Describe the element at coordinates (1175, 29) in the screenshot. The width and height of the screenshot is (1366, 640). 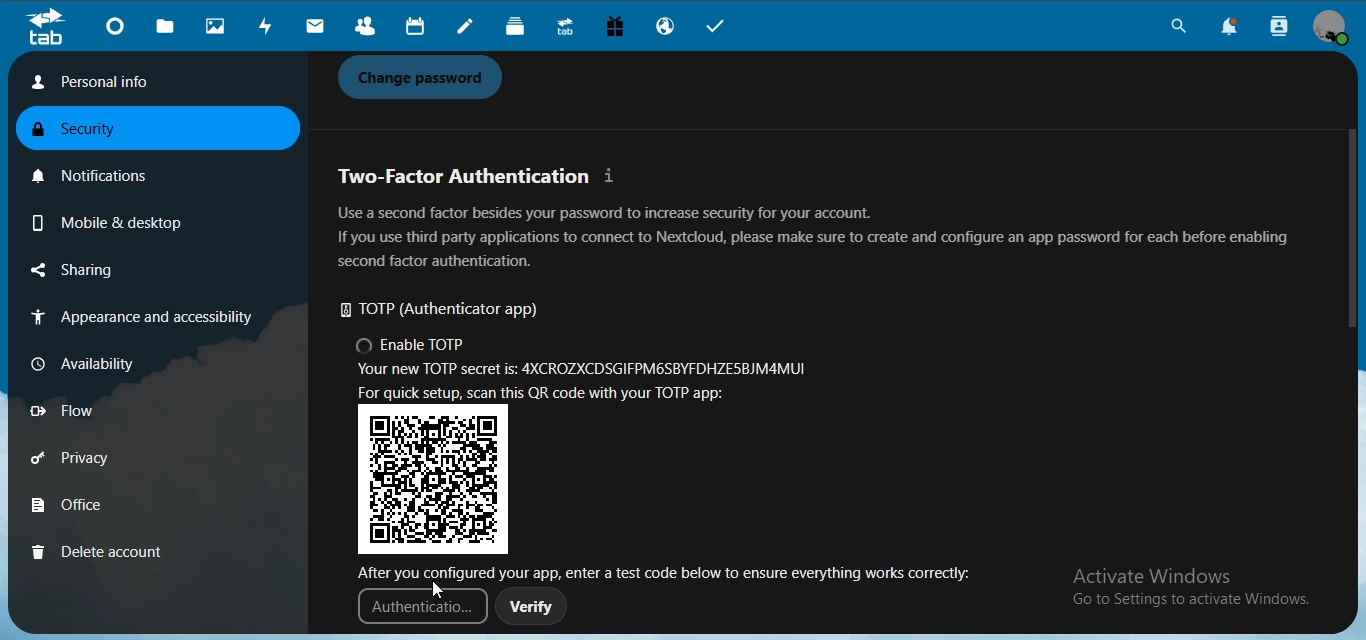
I see `search` at that location.